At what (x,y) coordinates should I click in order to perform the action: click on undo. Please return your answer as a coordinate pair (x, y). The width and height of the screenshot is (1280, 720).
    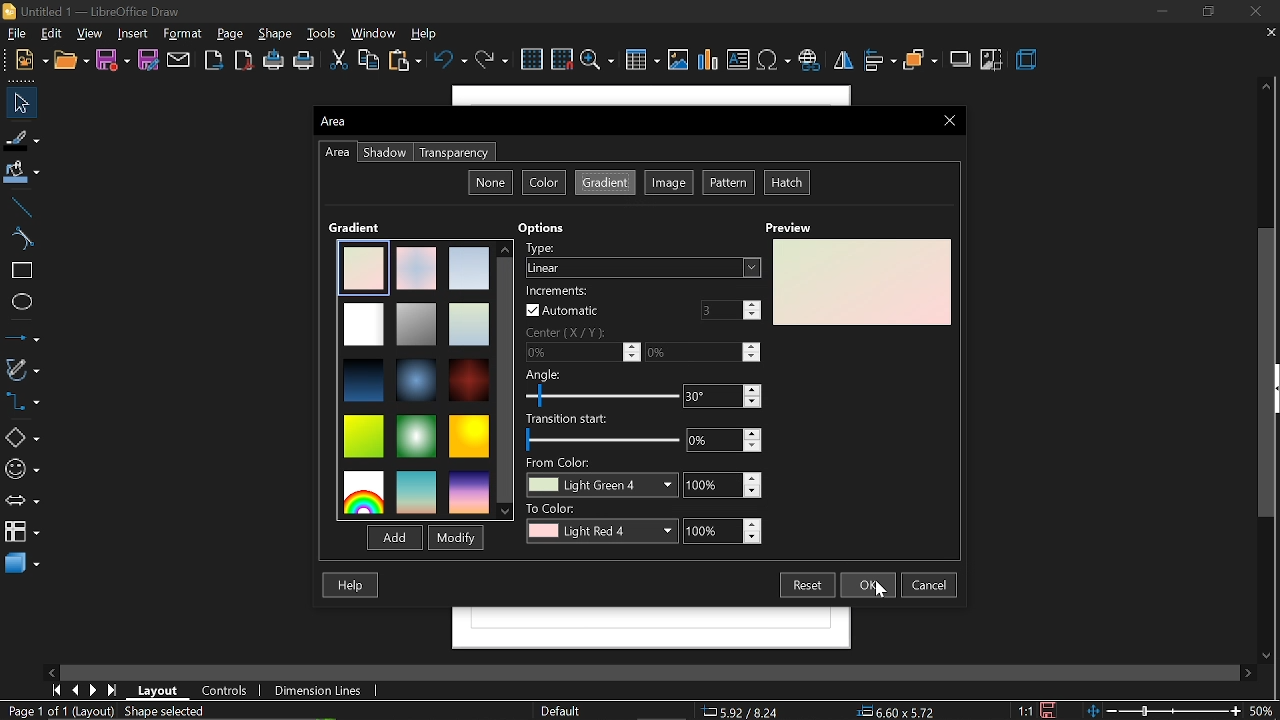
    Looking at the image, I should click on (450, 62).